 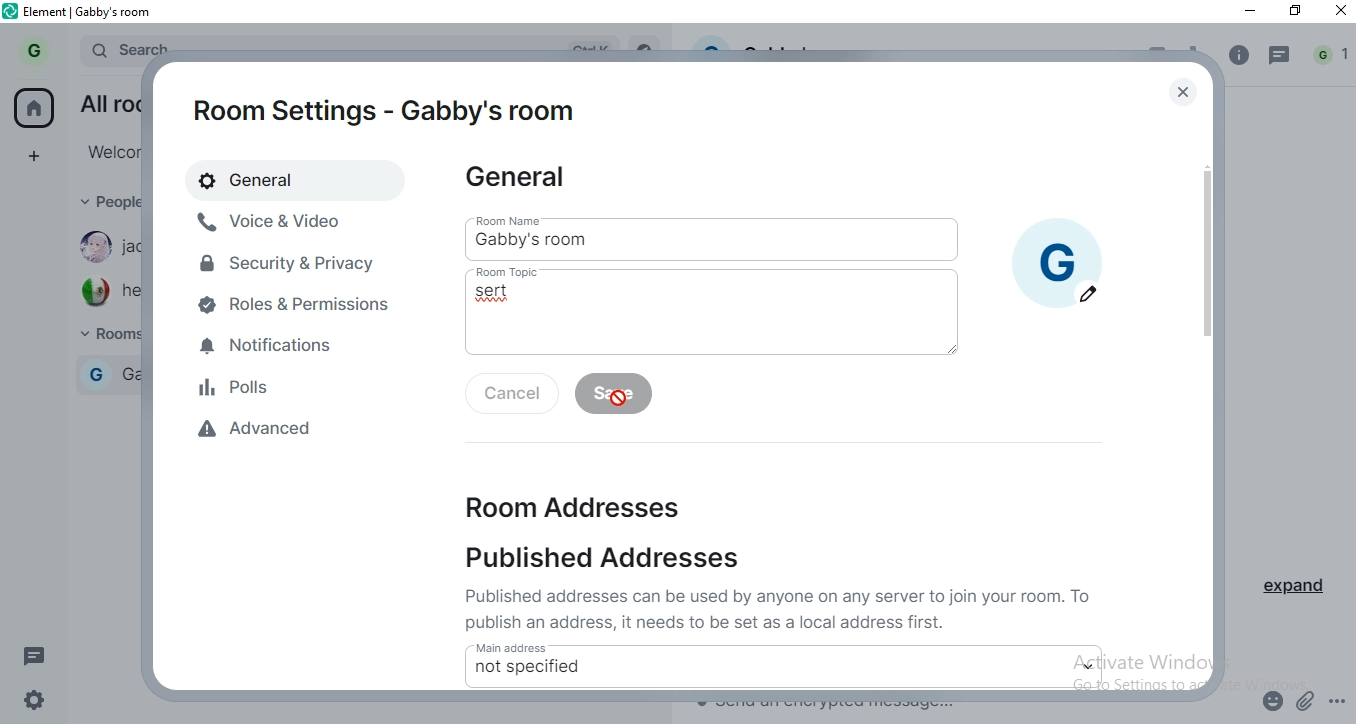 What do you see at coordinates (517, 273) in the screenshot?
I see `room topic` at bounding box center [517, 273].